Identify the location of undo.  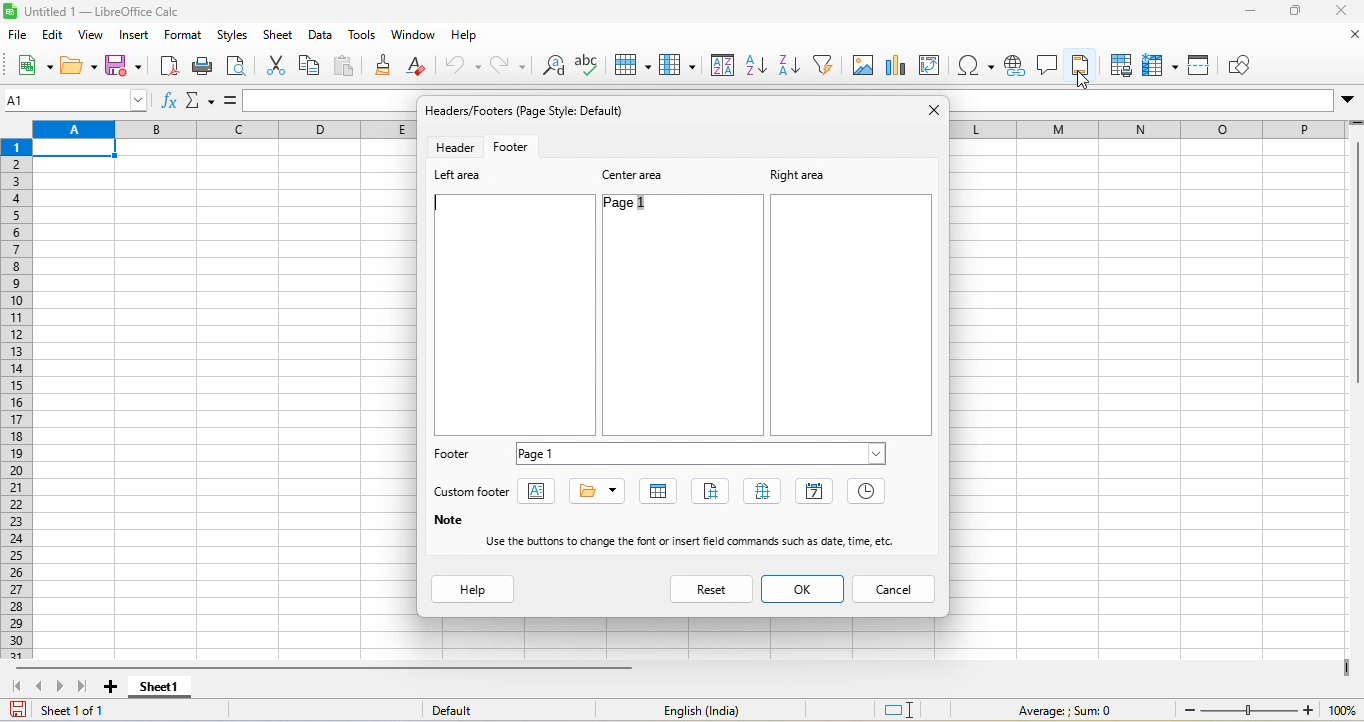
(461, 65).